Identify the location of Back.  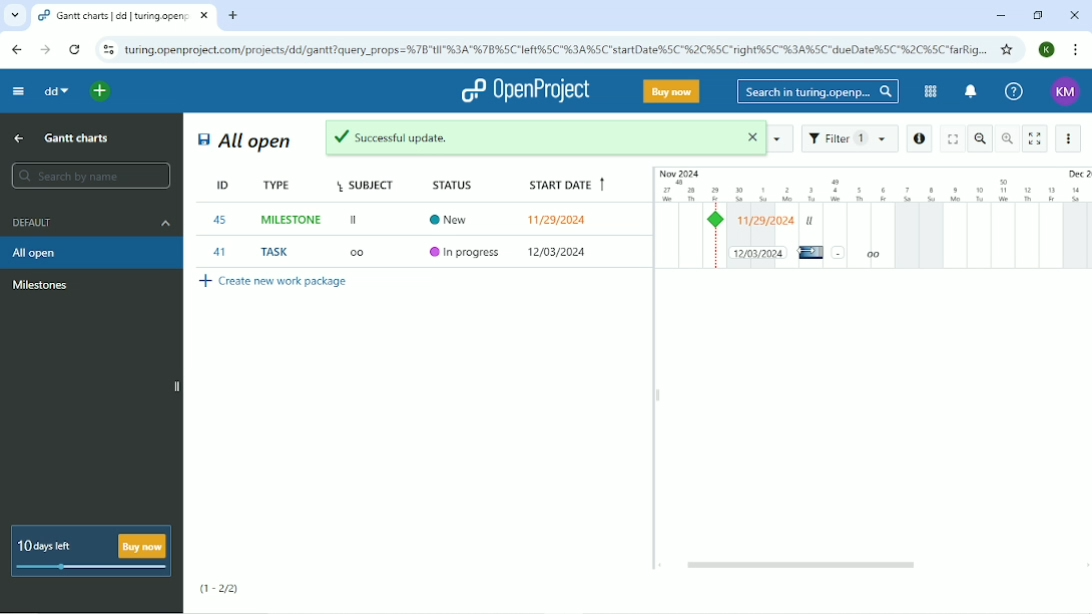
(18, 49).